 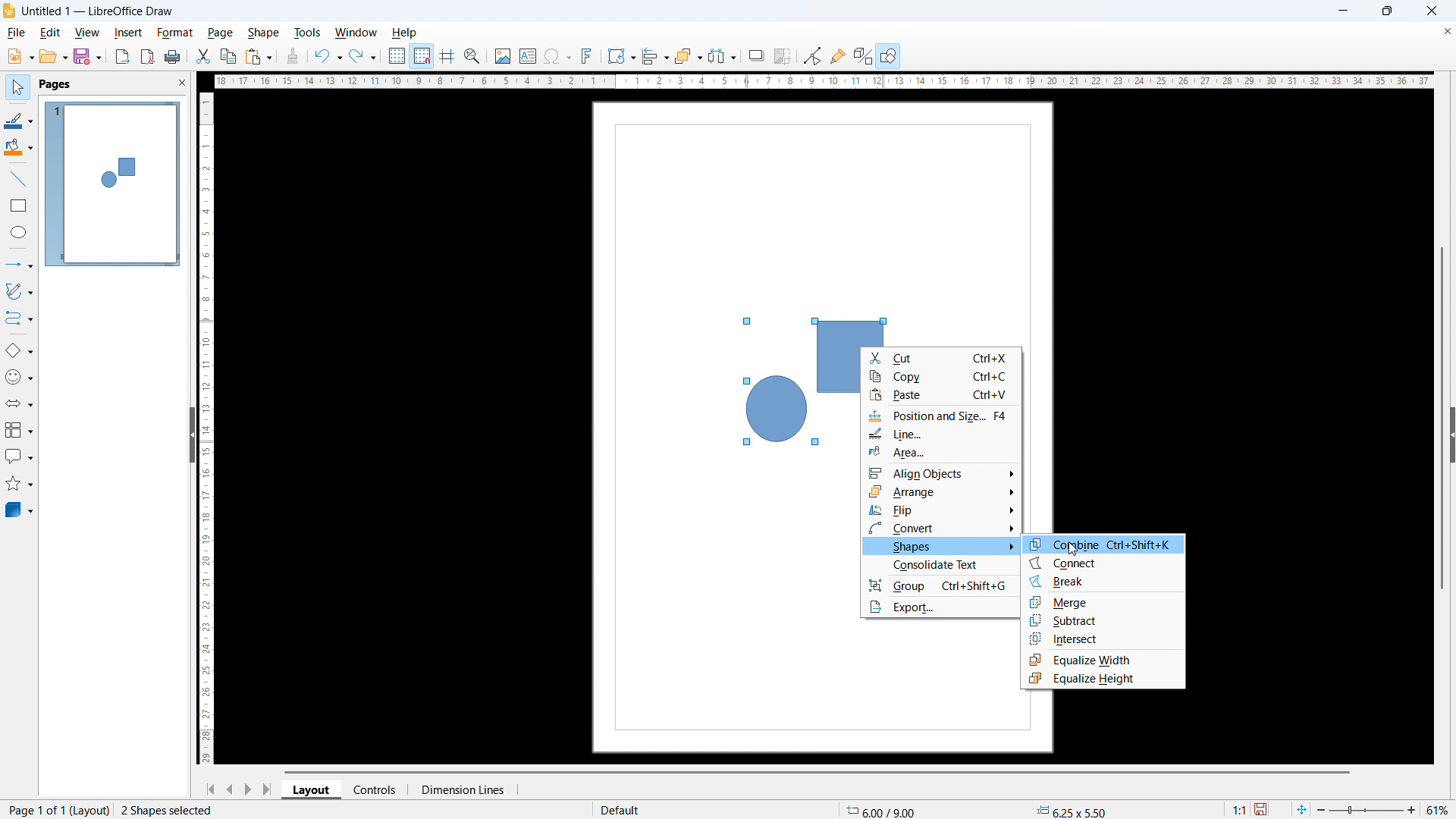 What do you see at coordinates (473, 57) in the screenshot?
I see `zoom` at bounding box center [473, 57].